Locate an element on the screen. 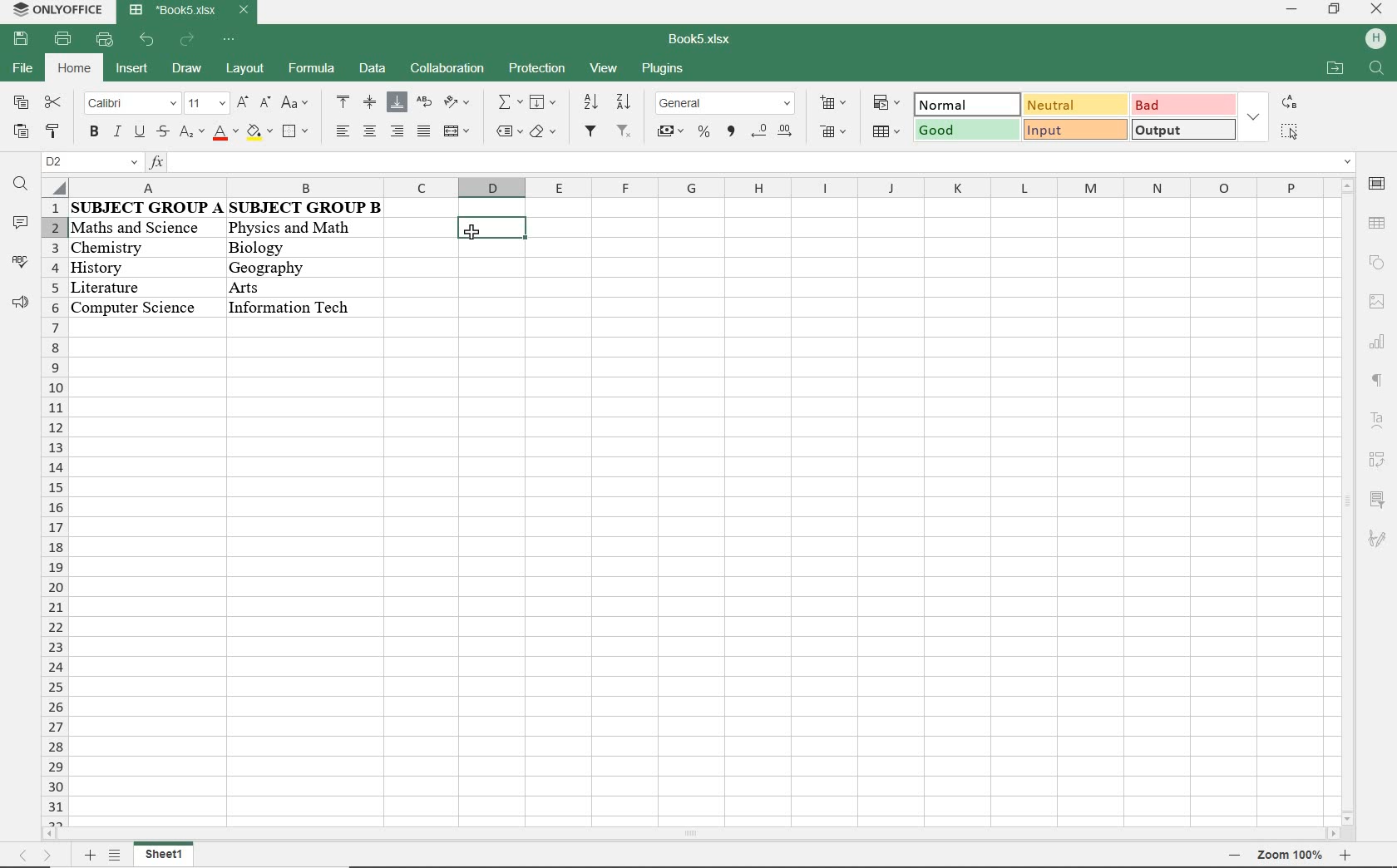 The image size is (1397, 868). data is located at coordinates (230, 208).